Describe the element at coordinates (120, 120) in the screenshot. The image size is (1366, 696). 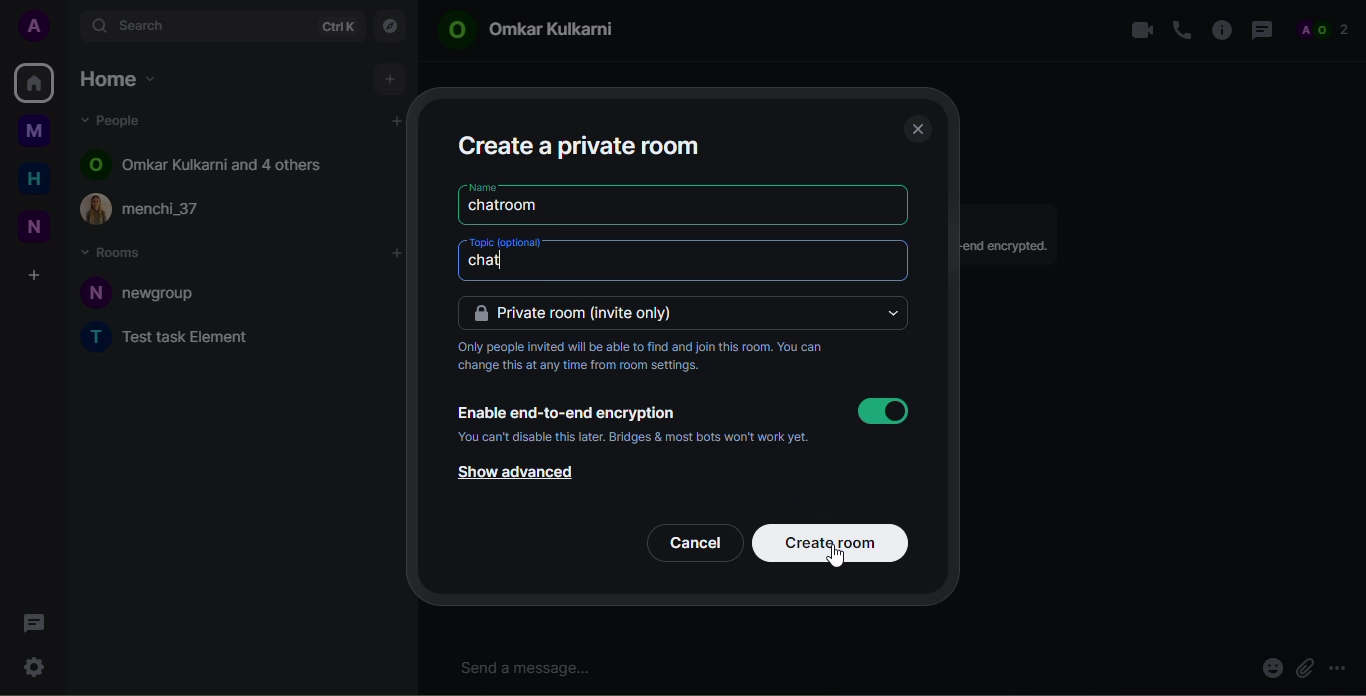
I see `people` at that location.